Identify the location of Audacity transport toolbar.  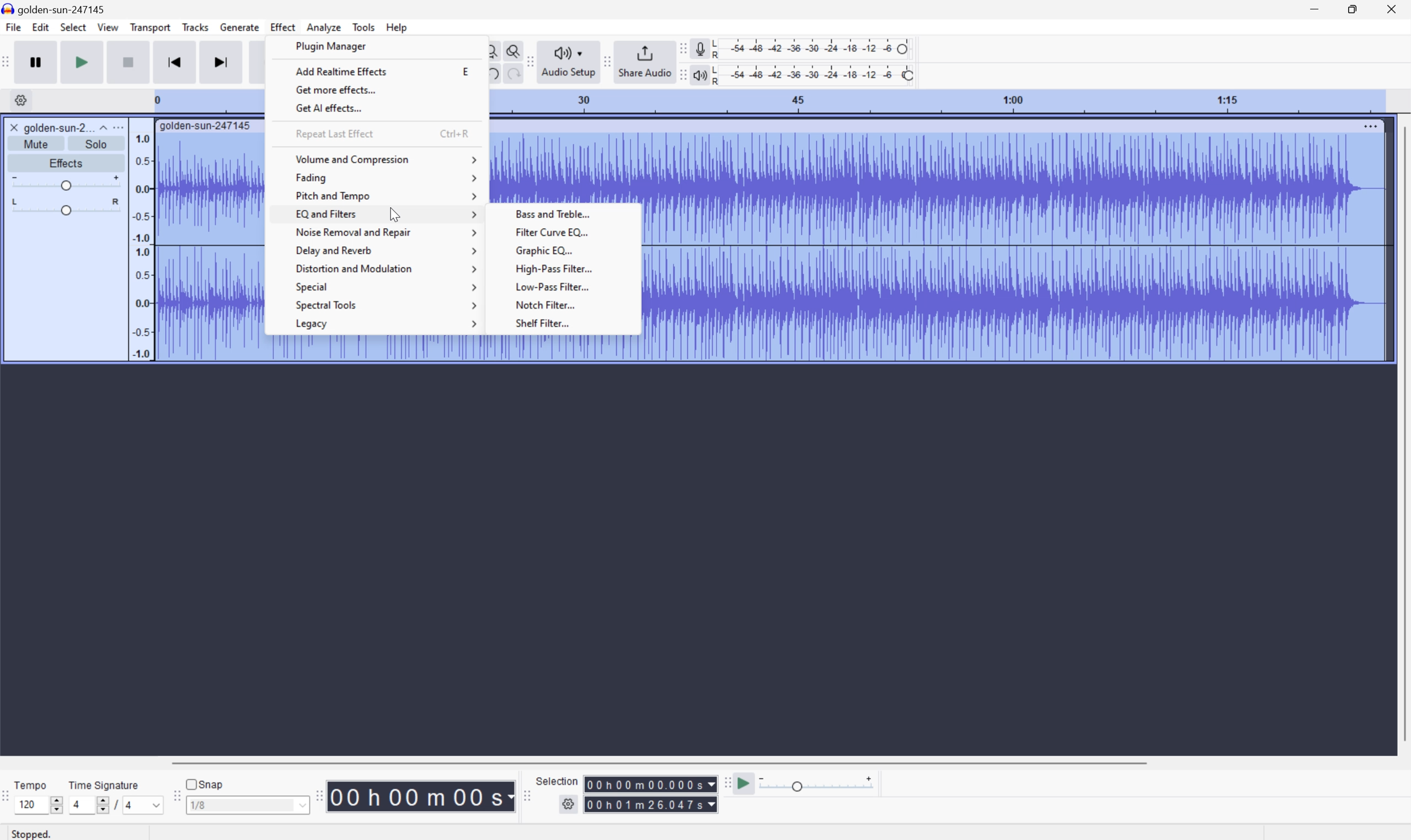
(9, 60).